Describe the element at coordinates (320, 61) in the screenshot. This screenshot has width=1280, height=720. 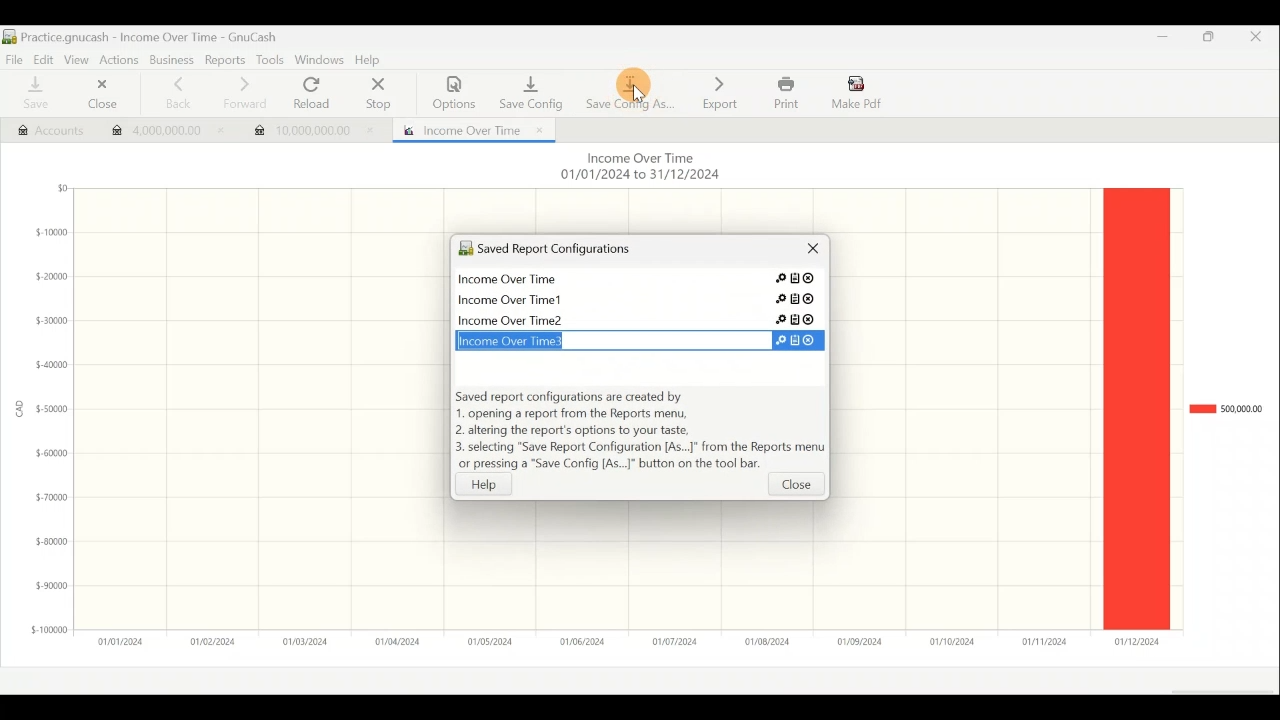
I see `Windows` at that location.